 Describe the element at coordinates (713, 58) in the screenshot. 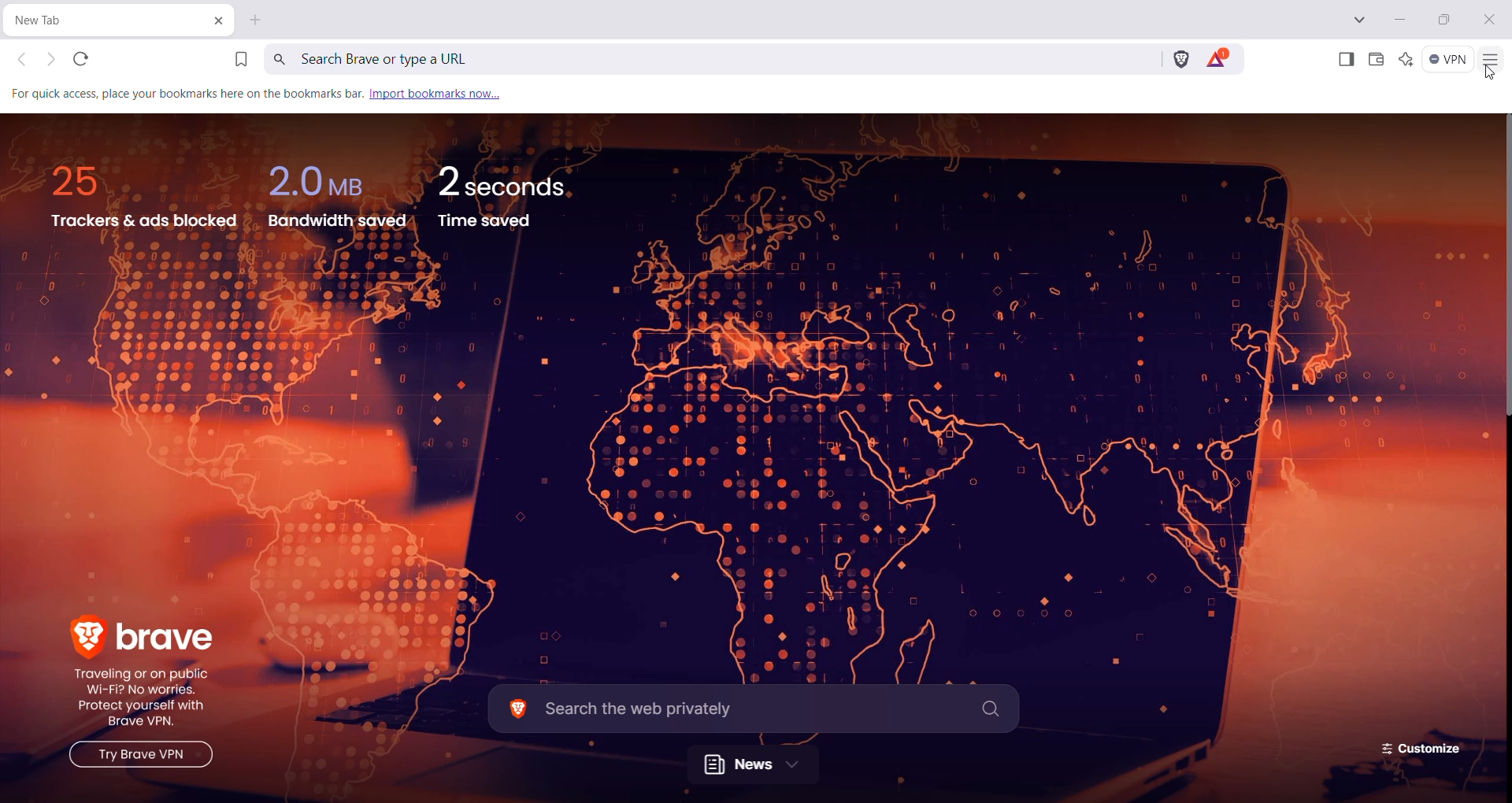

I see `Search Brave or type a URL` at that location.